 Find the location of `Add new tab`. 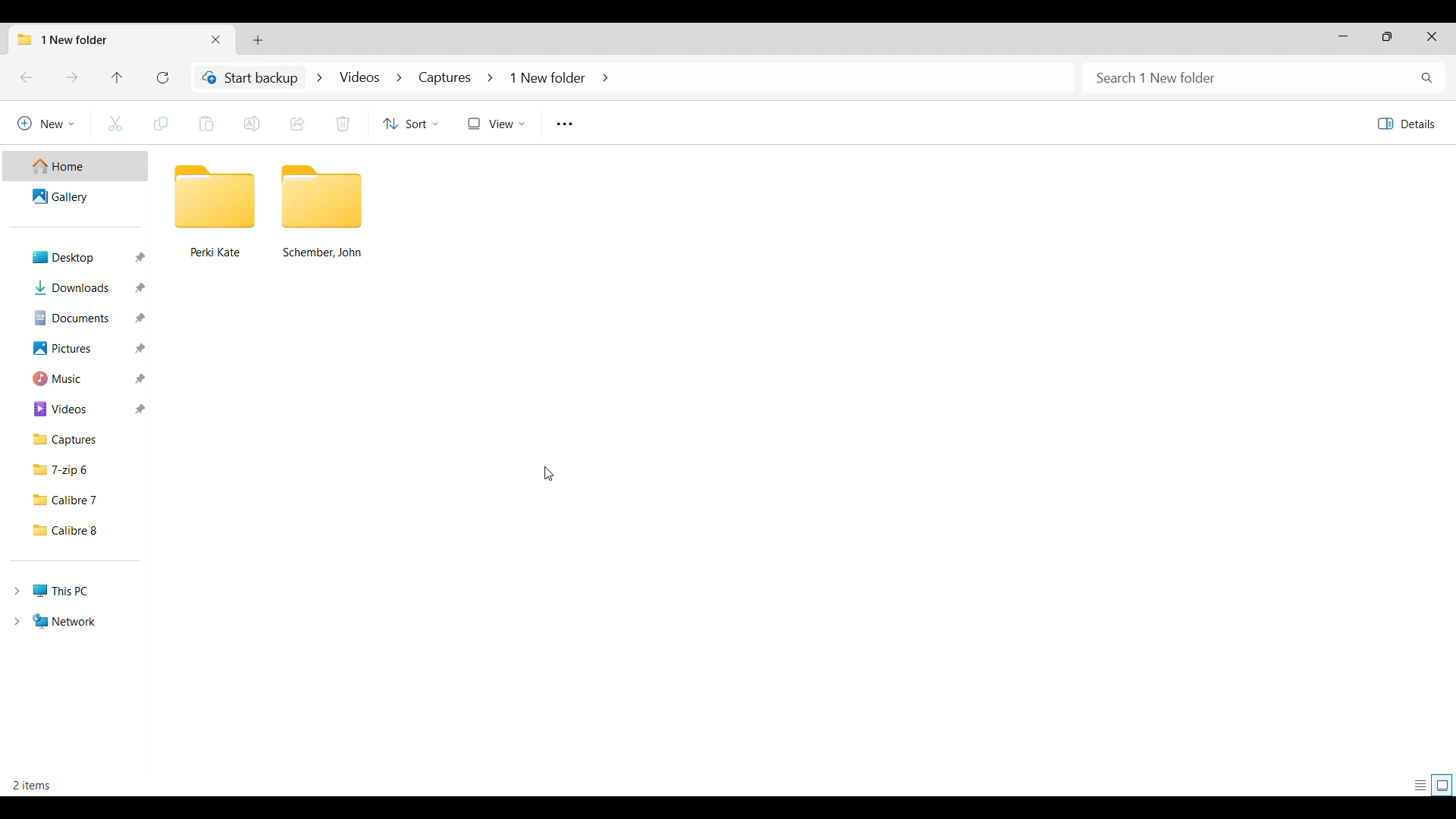

Add new tab is located at coordinates (258, 40).